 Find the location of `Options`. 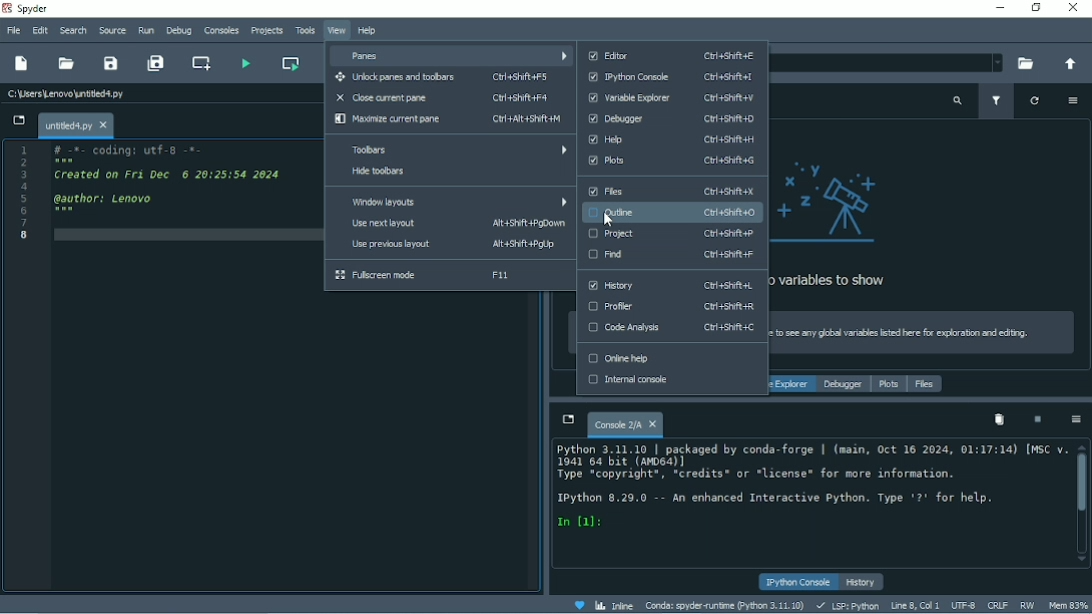

Options is located at coordinates (1076, 421).